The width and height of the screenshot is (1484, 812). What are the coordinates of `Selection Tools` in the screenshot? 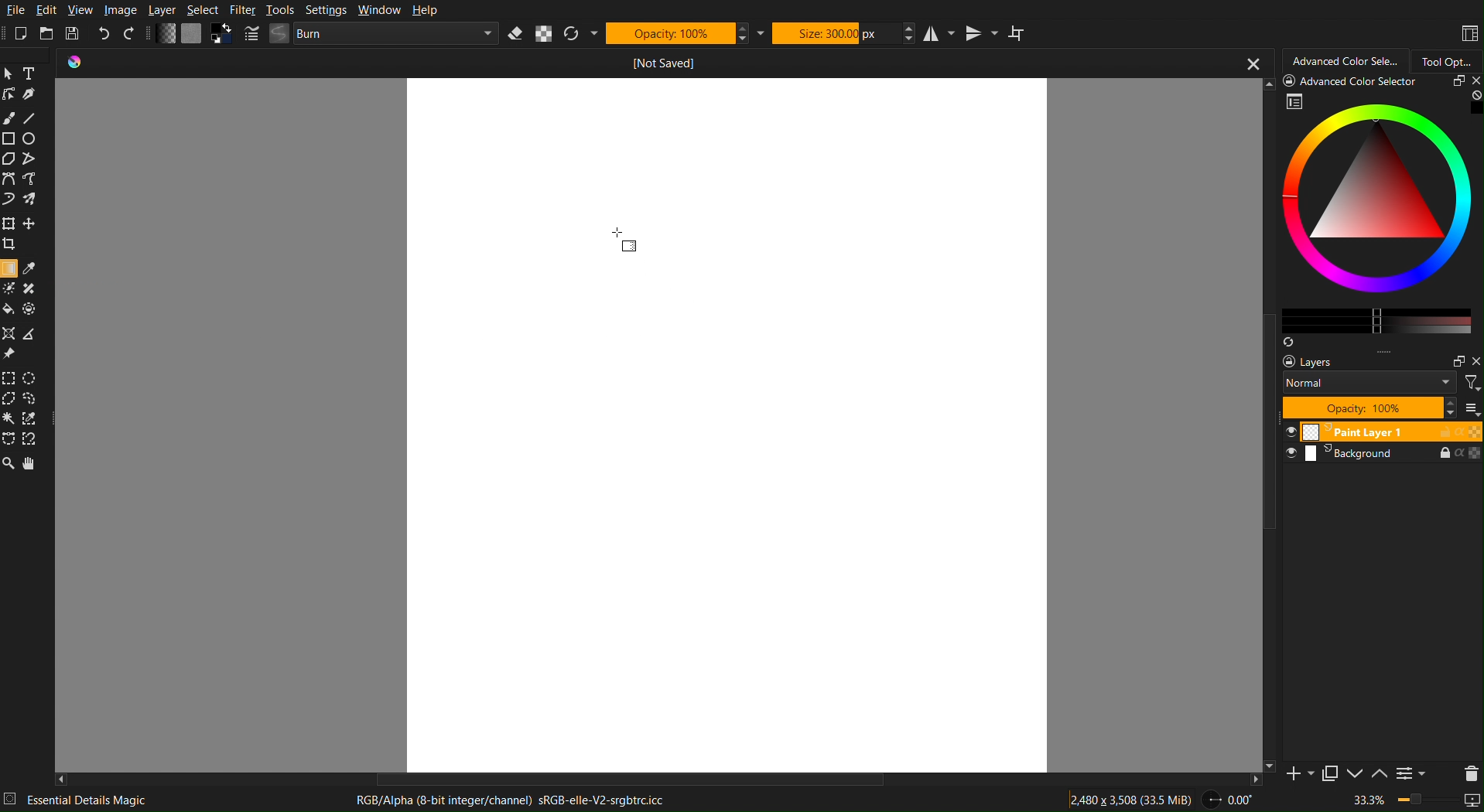 It's located at (26, 407).